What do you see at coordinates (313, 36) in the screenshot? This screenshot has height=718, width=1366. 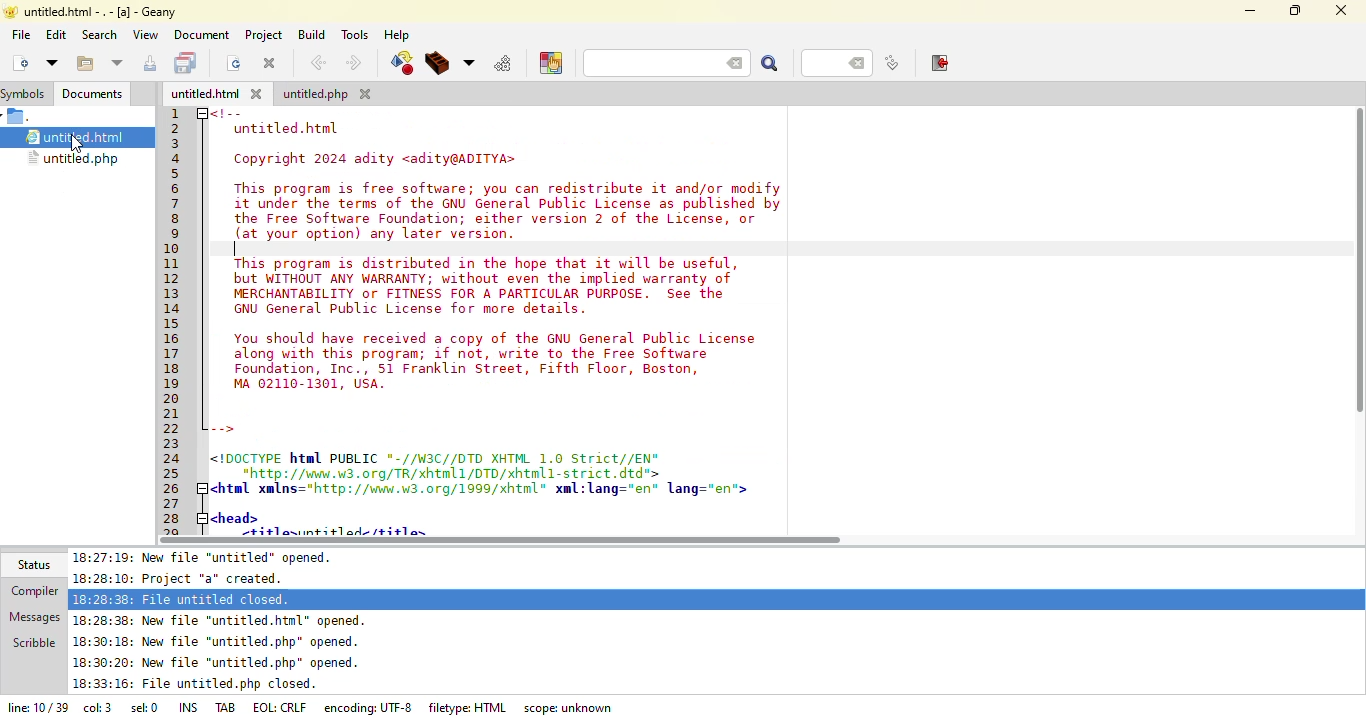 I see `build` at bounding box center [313, 36].